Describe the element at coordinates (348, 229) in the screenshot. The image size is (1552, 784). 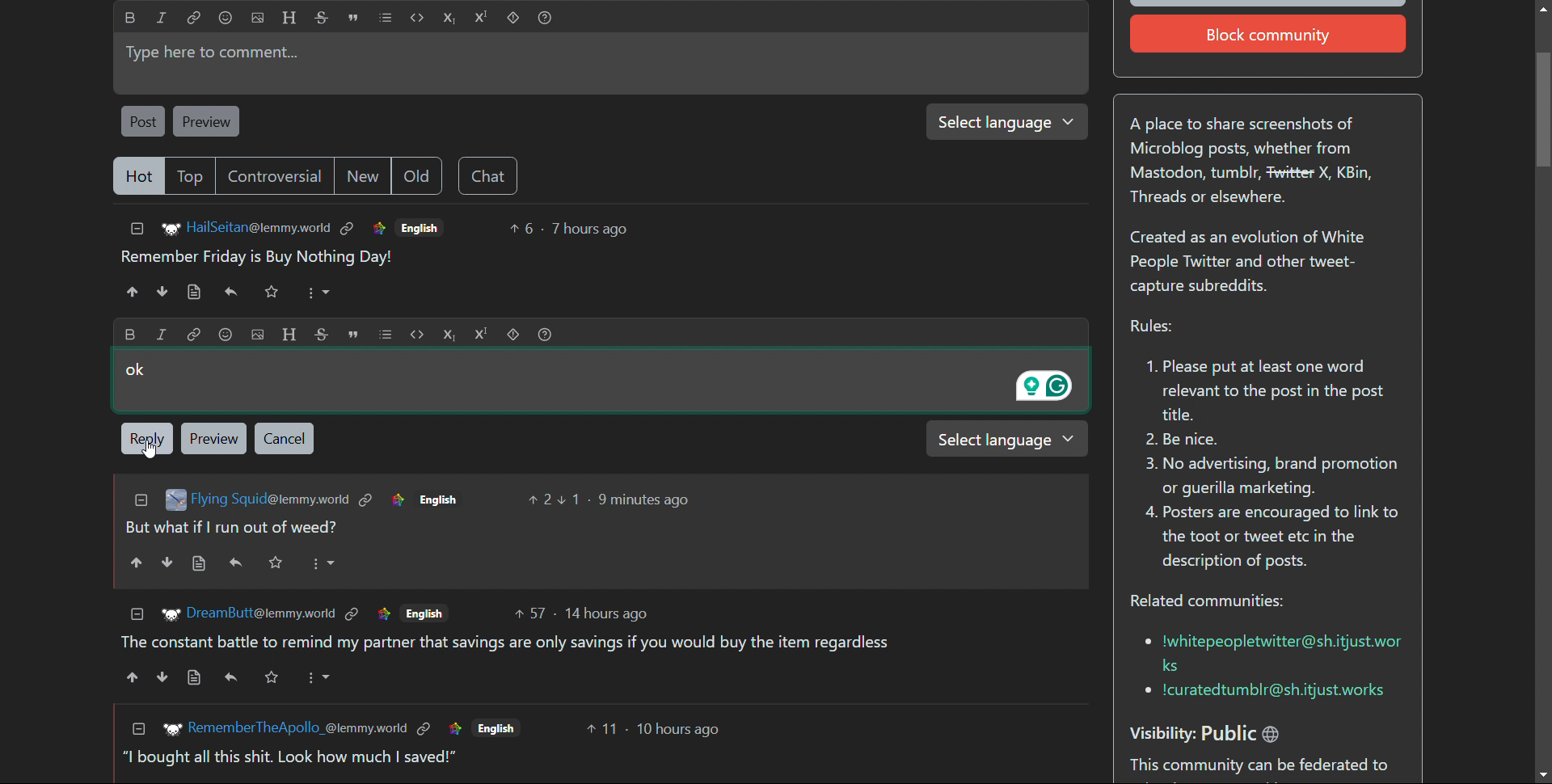
I see `link` at that location.